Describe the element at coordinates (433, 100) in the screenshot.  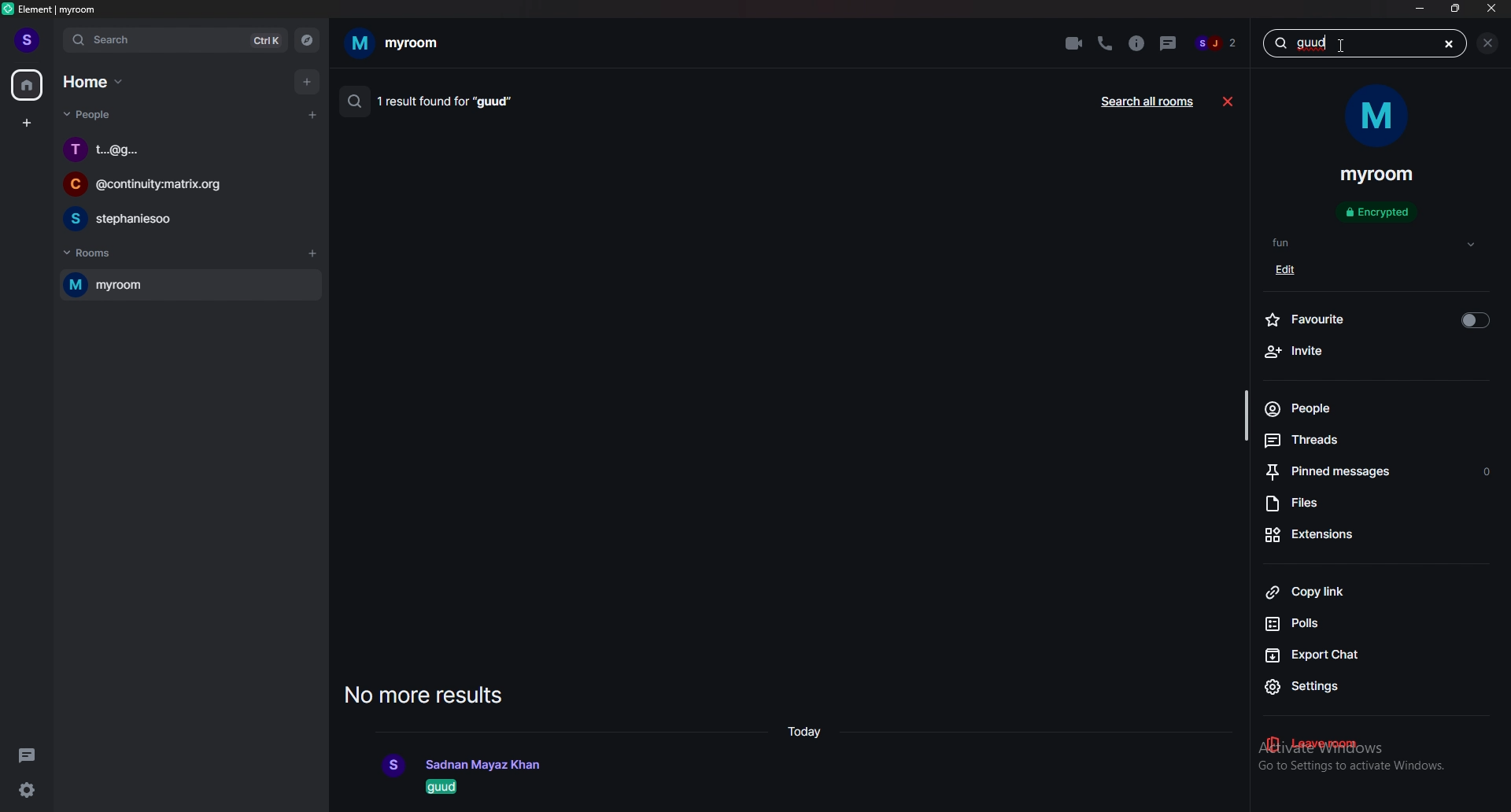
I see `1 result found` at that location.